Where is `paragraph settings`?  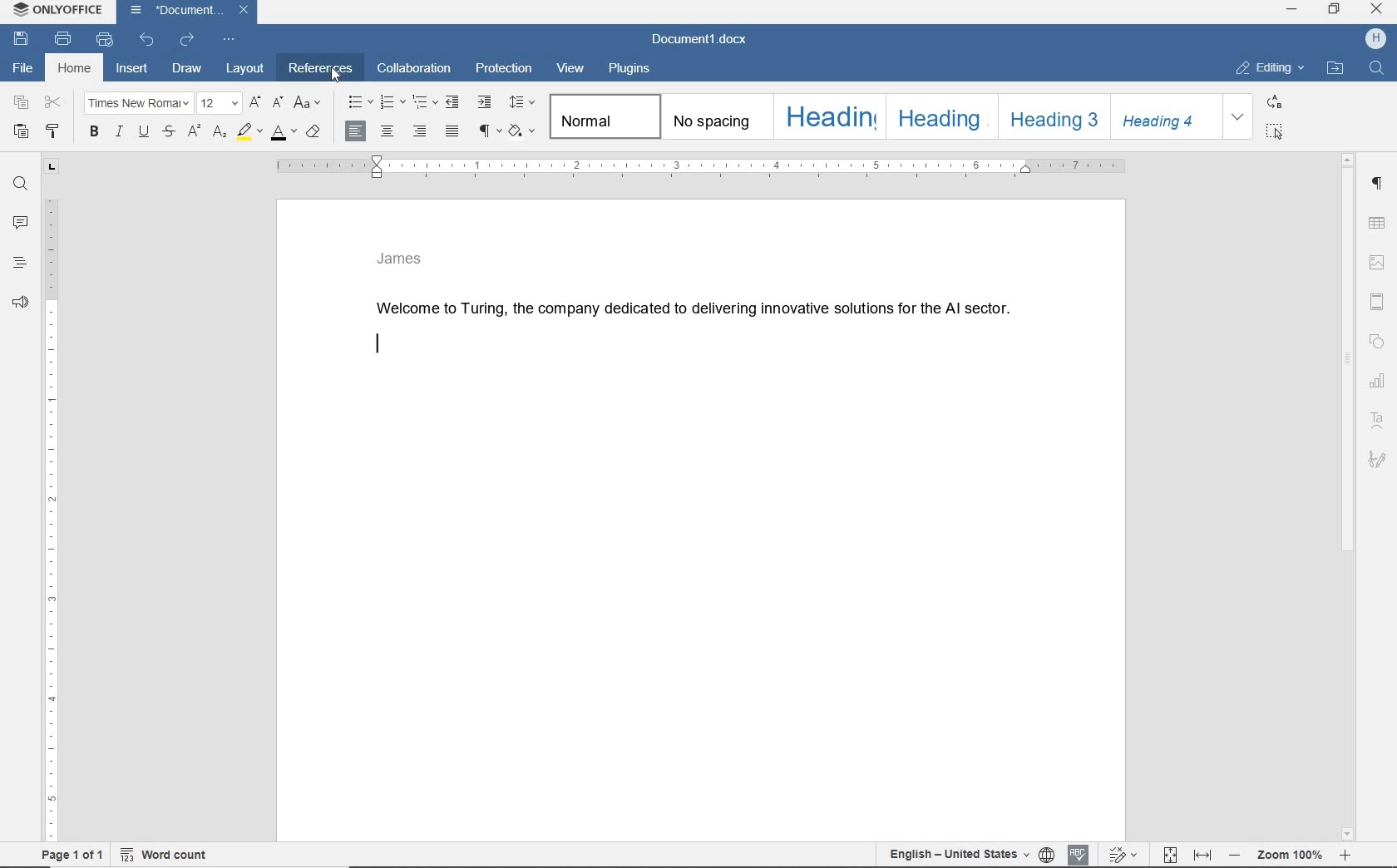
paragraph settings is located at coordinates (1377, 183).